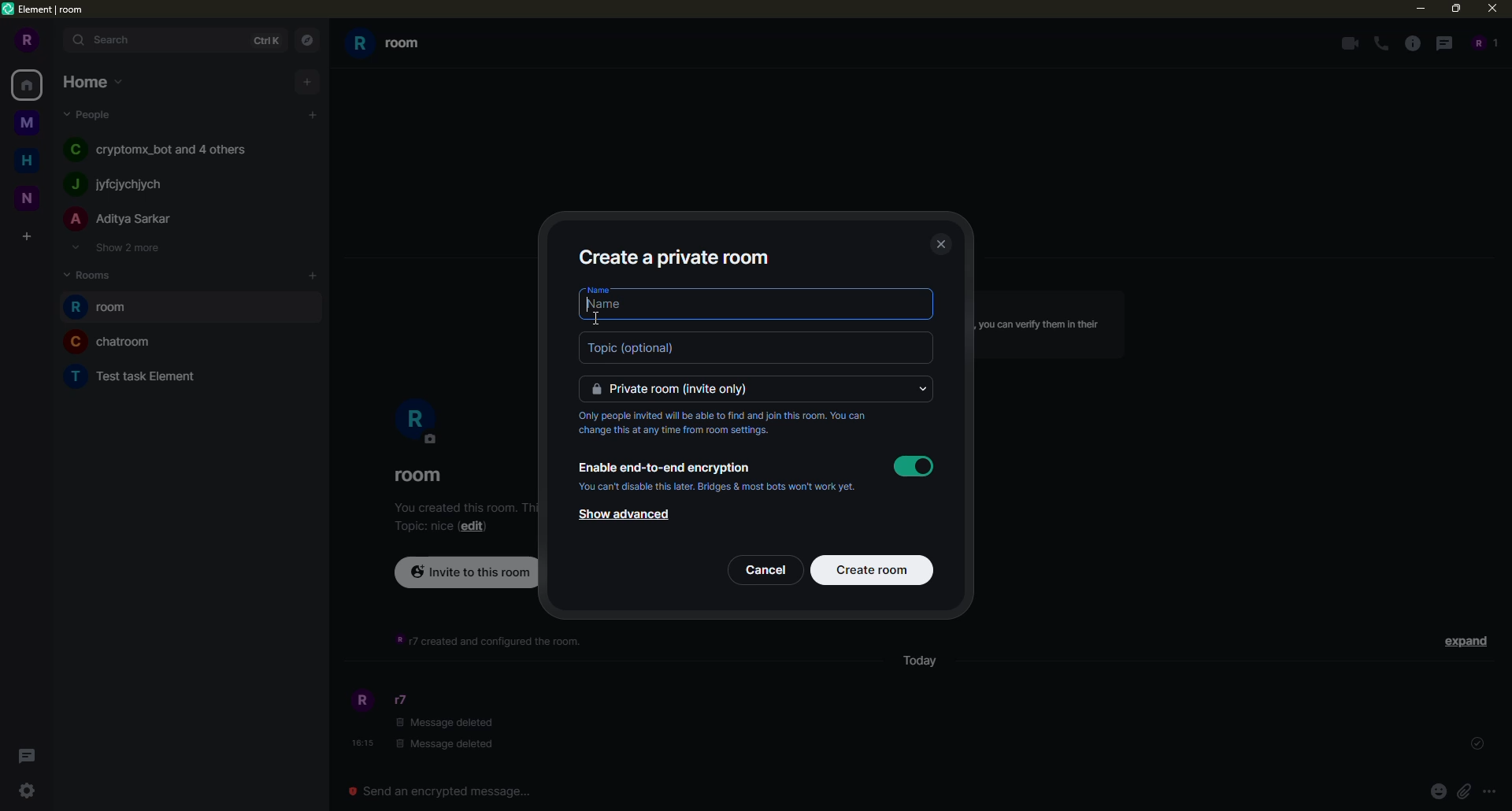 The image size is (1512, 811). Describe the element at coordinates (104, 306) in the screenshot. I see `room` at that location.